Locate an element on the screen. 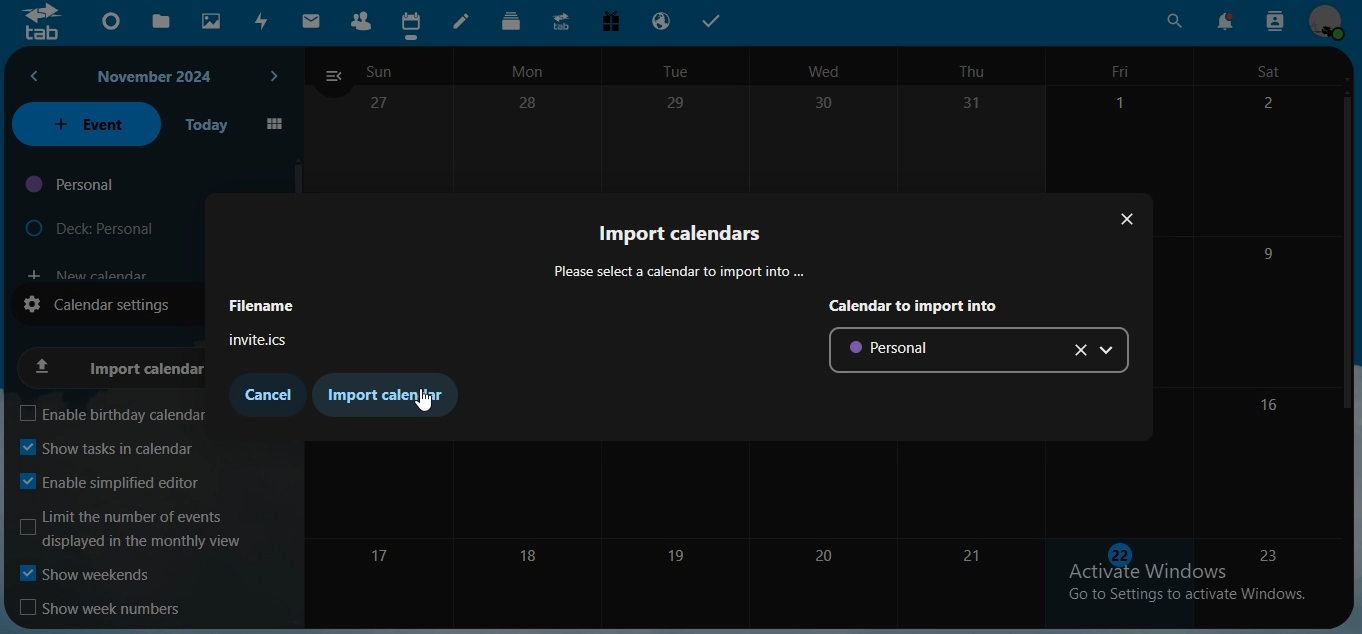 This screenshot has height=634, width=1362. mail is located at coordinates (314, 19).